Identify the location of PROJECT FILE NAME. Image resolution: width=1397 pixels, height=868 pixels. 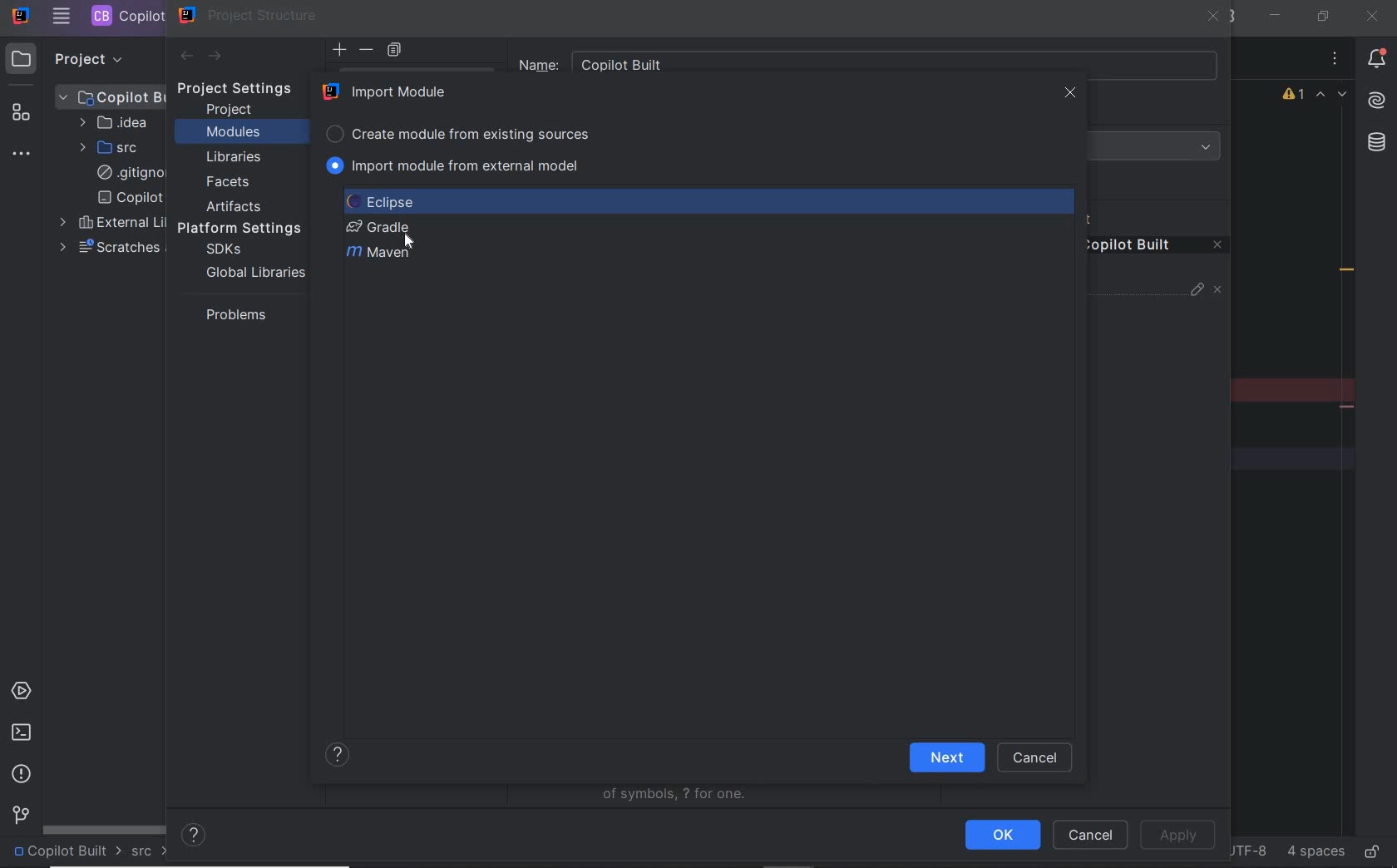
(126, 16).